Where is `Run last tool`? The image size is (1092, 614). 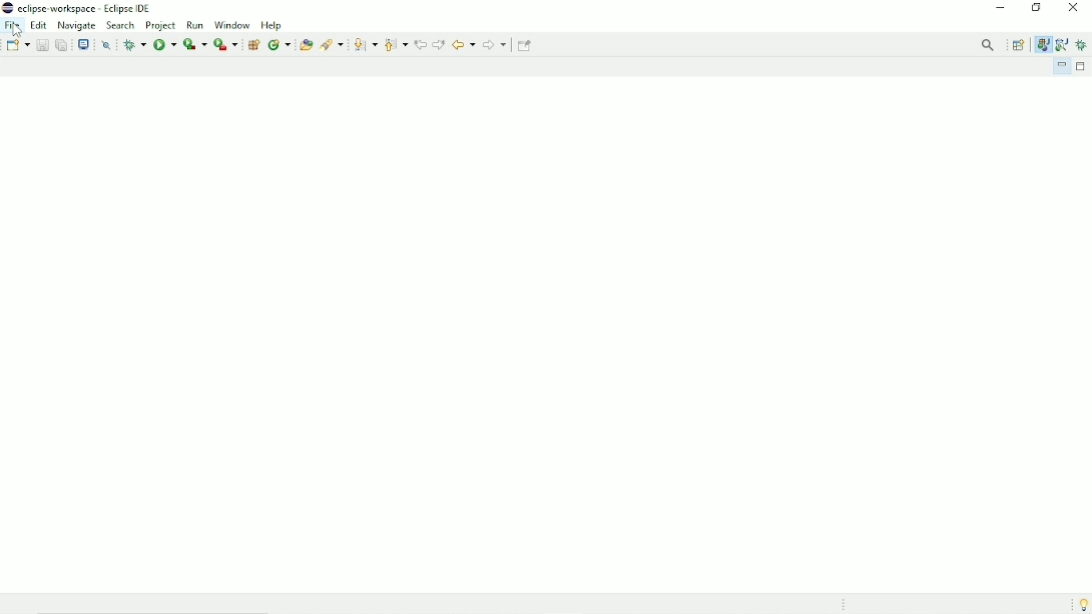
Run last tool is located at coordinates (226, 44).